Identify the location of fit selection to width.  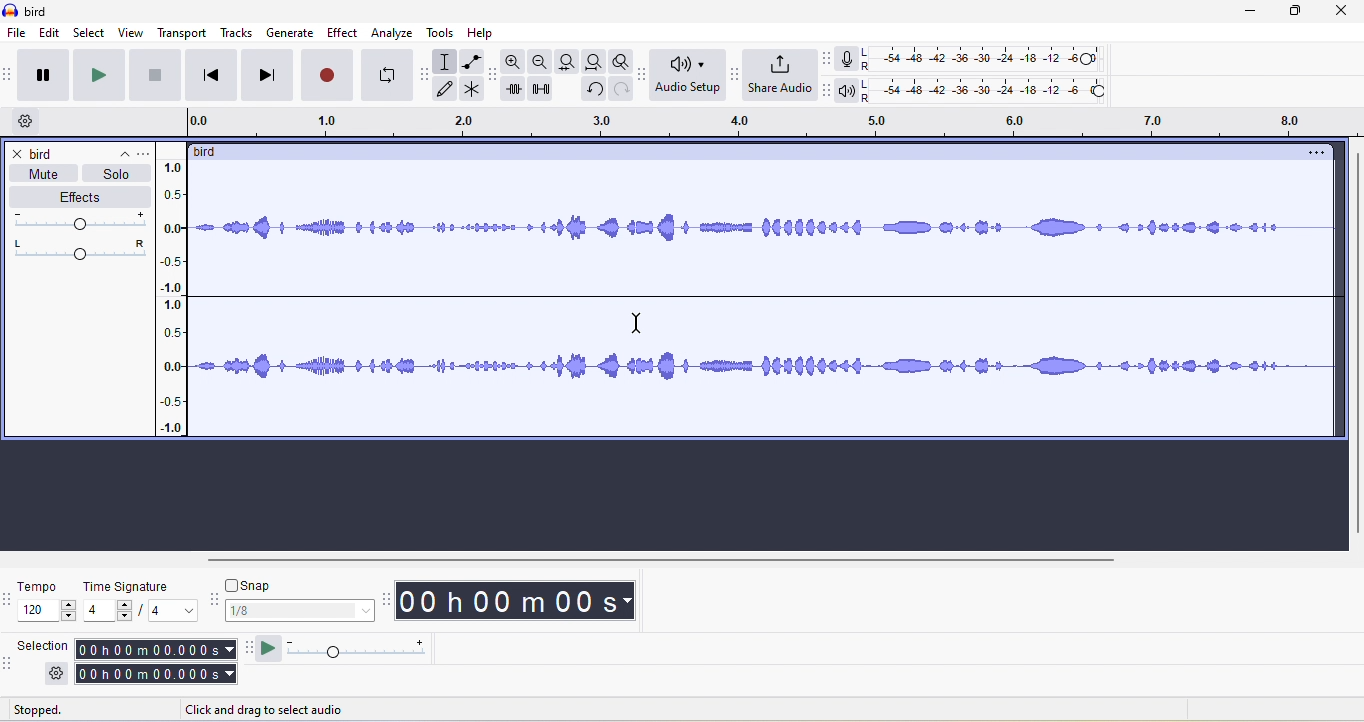
(565, 61).